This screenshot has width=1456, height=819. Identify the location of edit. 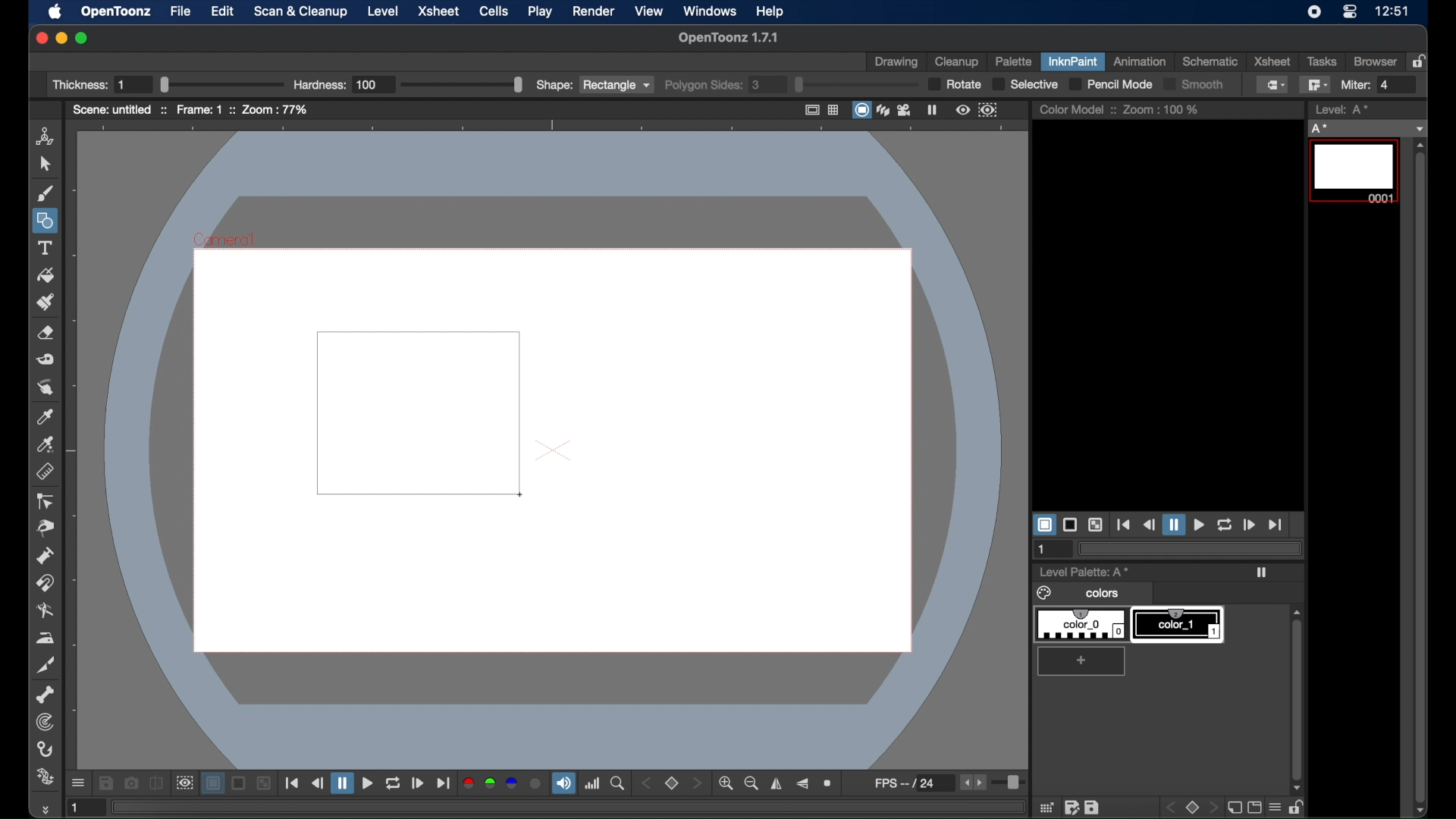
(223, 11).